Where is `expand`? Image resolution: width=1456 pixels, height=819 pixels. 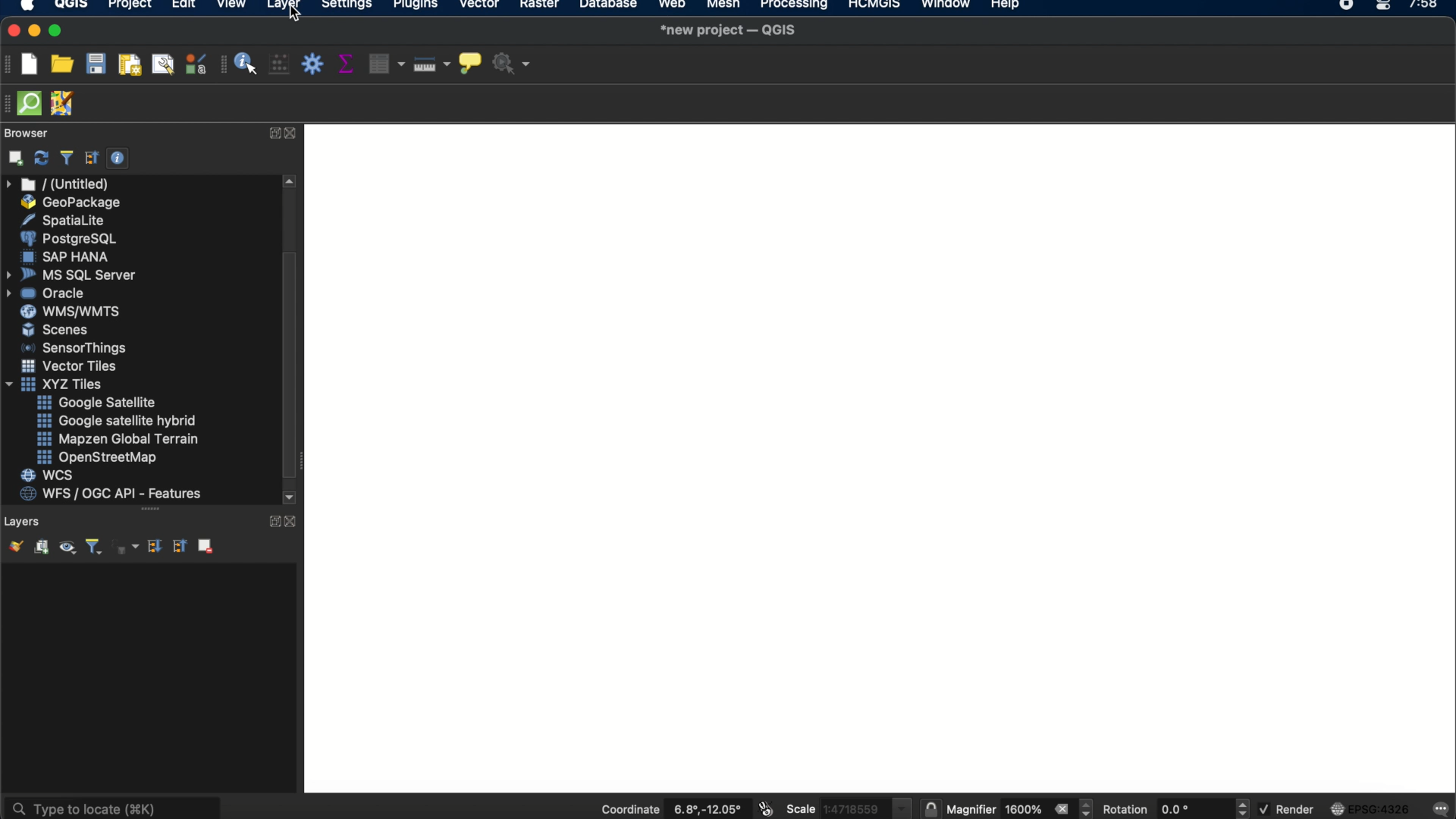 expand is located at coordinates (273, 521).